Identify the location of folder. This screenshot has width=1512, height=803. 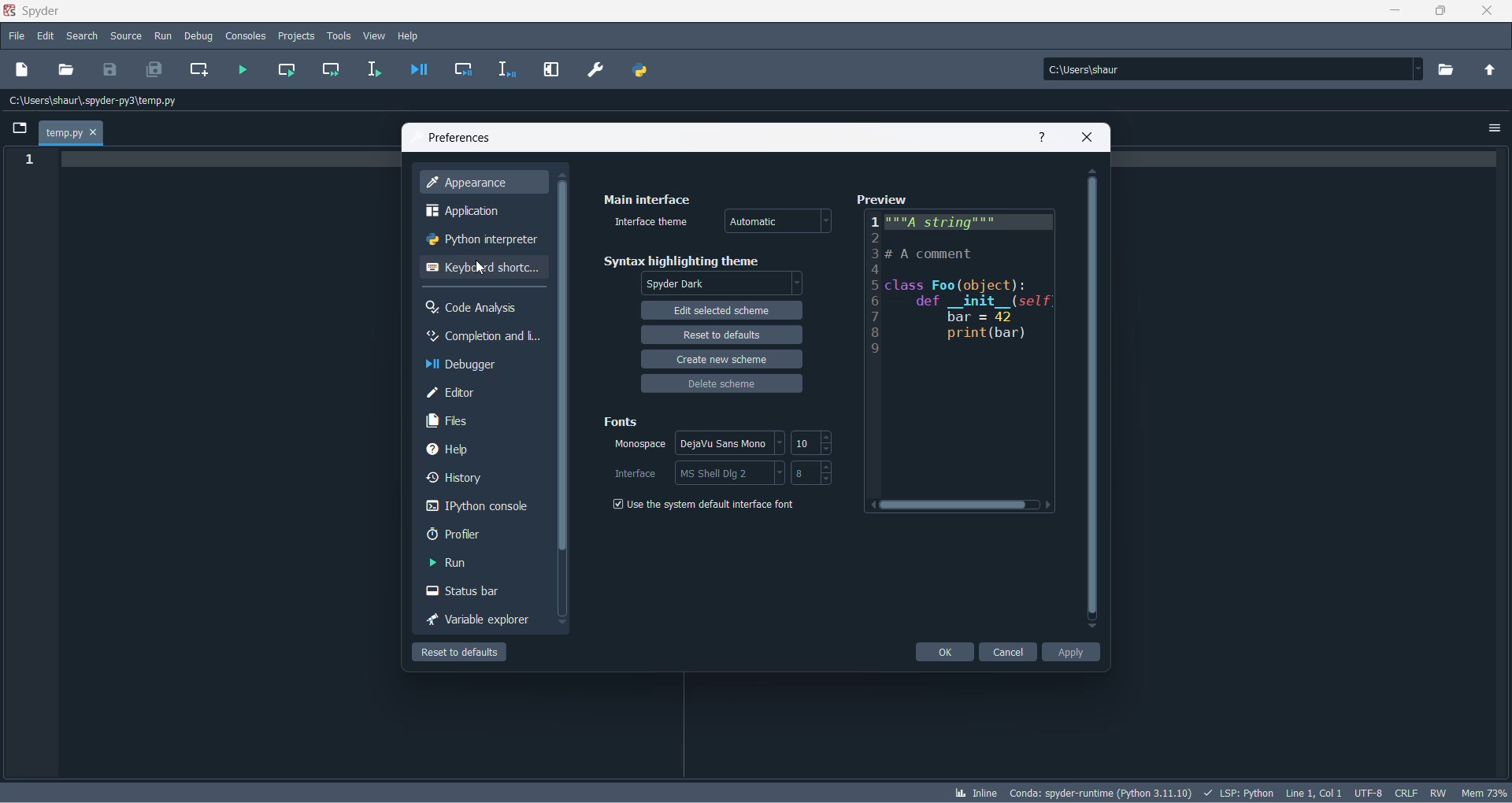
(18, 130).